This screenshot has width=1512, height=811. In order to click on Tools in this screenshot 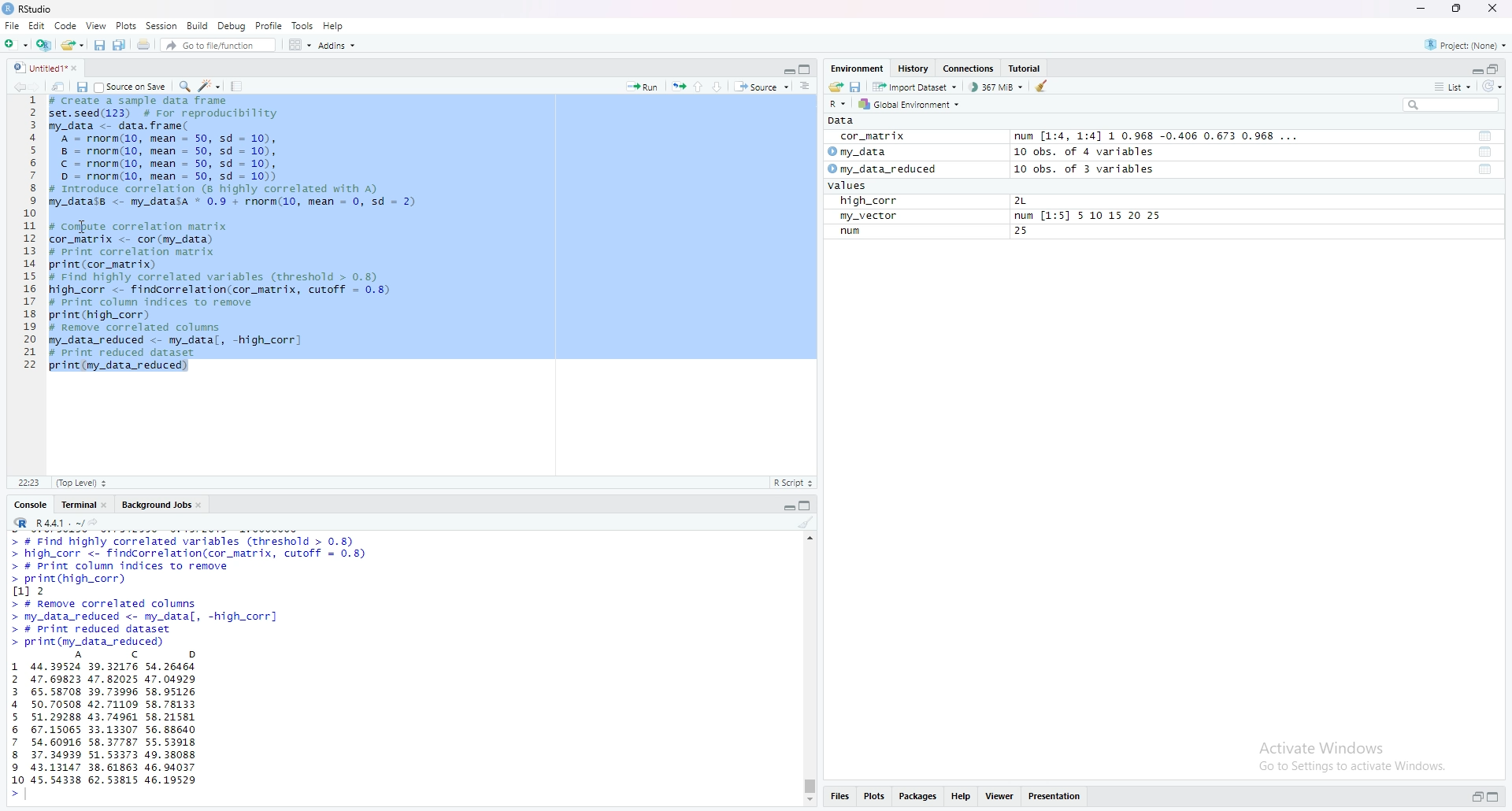, I will do `click(304, 25)`.